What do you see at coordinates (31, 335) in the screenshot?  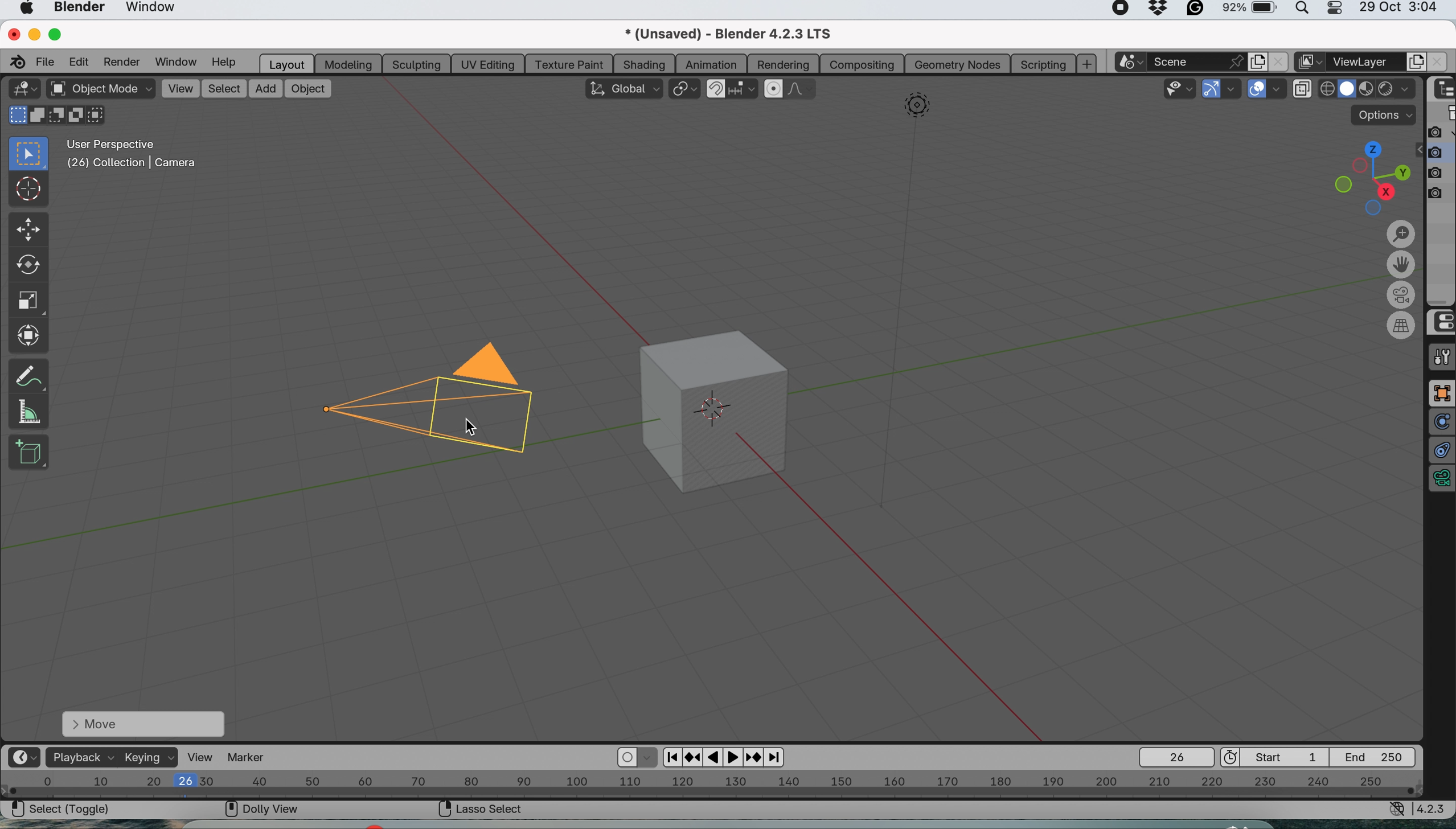 I see `transform` at bounding box center [31, 335].